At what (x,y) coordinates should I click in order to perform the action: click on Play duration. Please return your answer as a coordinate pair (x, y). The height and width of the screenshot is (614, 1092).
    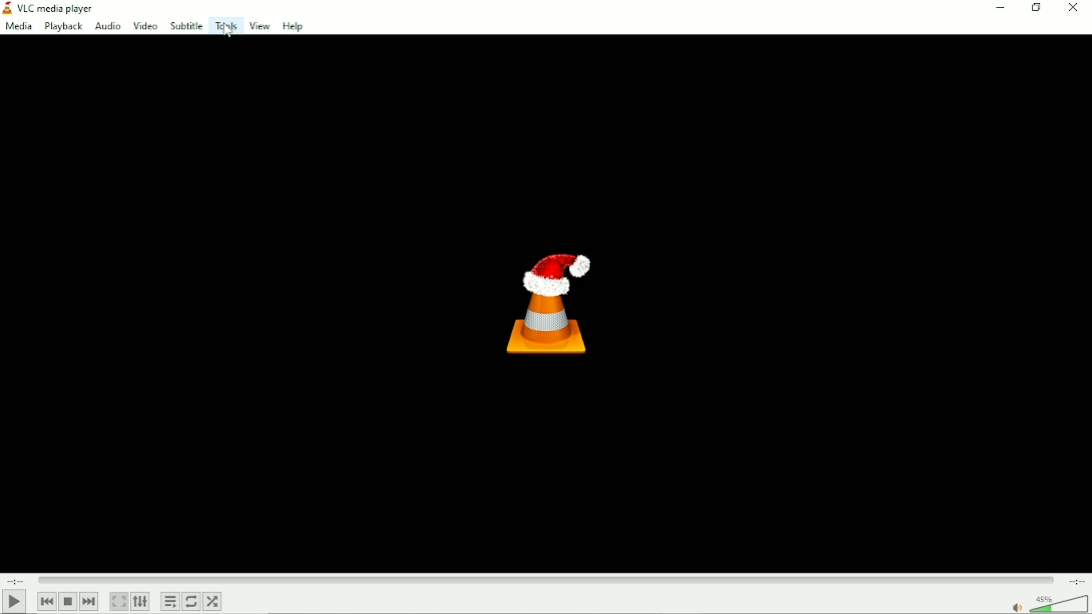
    Looking at the image, I should click on (545, 578).